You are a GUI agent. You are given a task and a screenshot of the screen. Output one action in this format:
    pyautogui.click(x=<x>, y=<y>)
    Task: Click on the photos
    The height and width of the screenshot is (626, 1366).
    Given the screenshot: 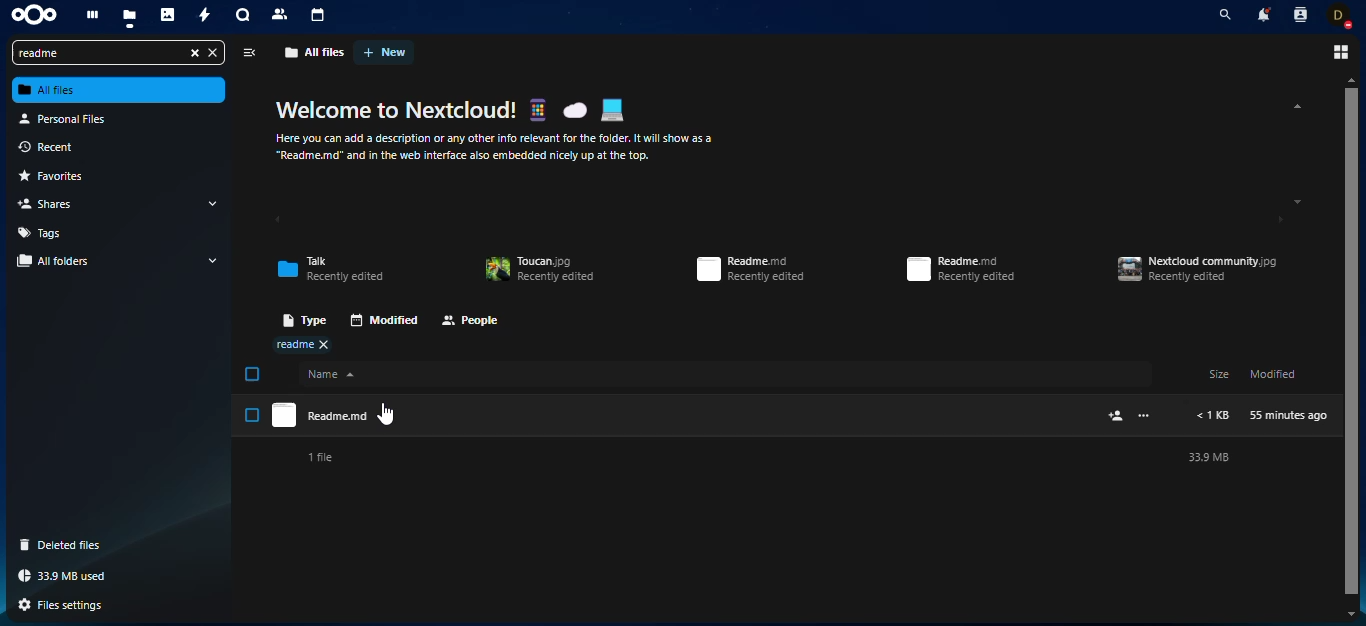 What is the action you would take?
    pyautogui.click(x=169, y=17)
    